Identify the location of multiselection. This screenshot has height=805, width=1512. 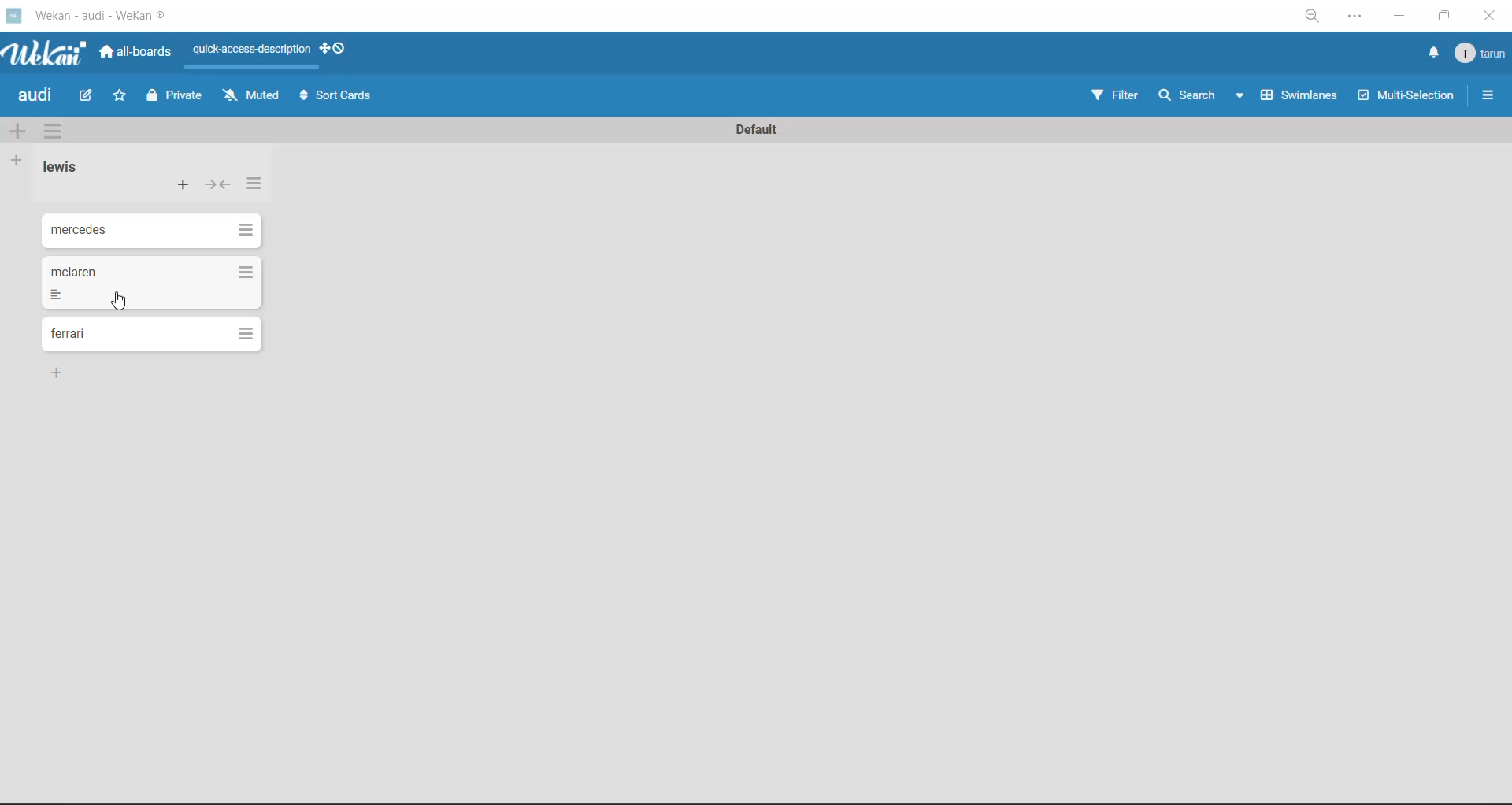
(1403, 97).